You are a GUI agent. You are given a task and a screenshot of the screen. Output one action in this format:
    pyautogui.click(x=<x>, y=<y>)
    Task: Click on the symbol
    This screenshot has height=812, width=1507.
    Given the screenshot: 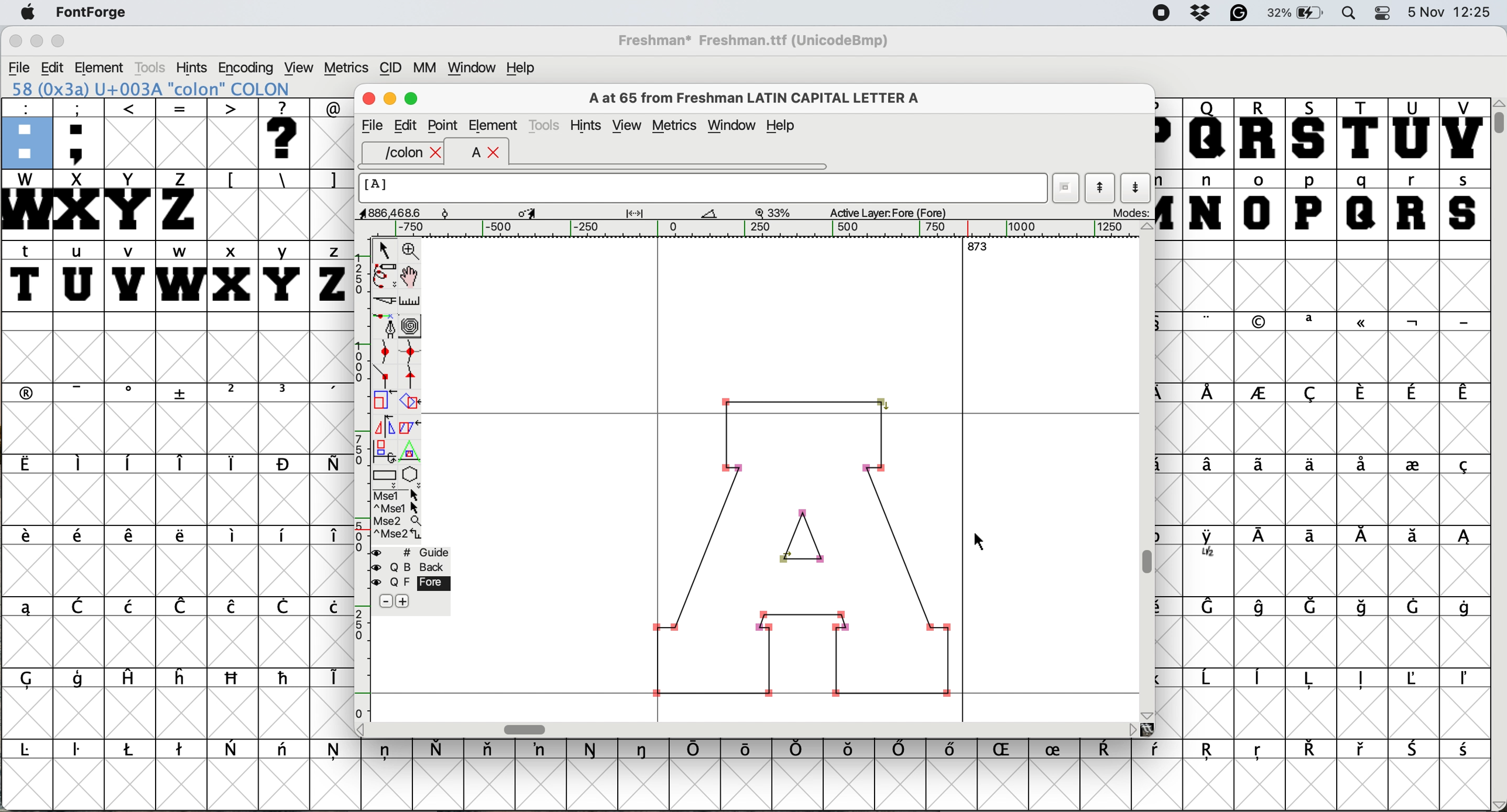 What is the action you would take?
    pyautogui.click(x=1208, y=321)
    